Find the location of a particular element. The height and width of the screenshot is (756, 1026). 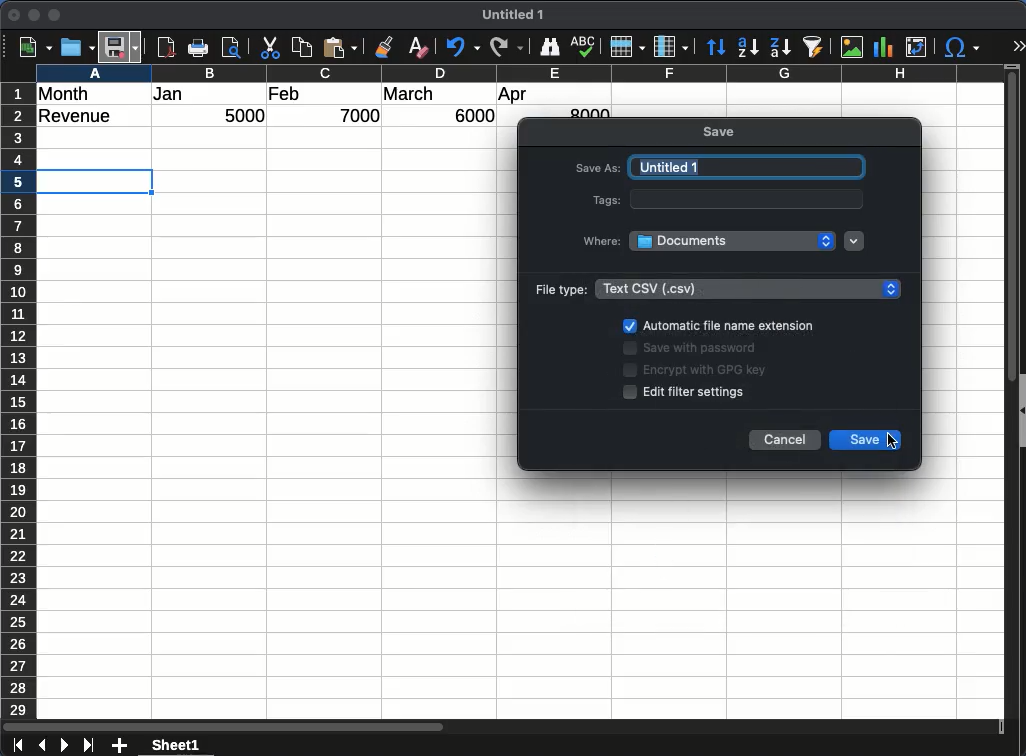

7000 is located at coordinates (362, 115).